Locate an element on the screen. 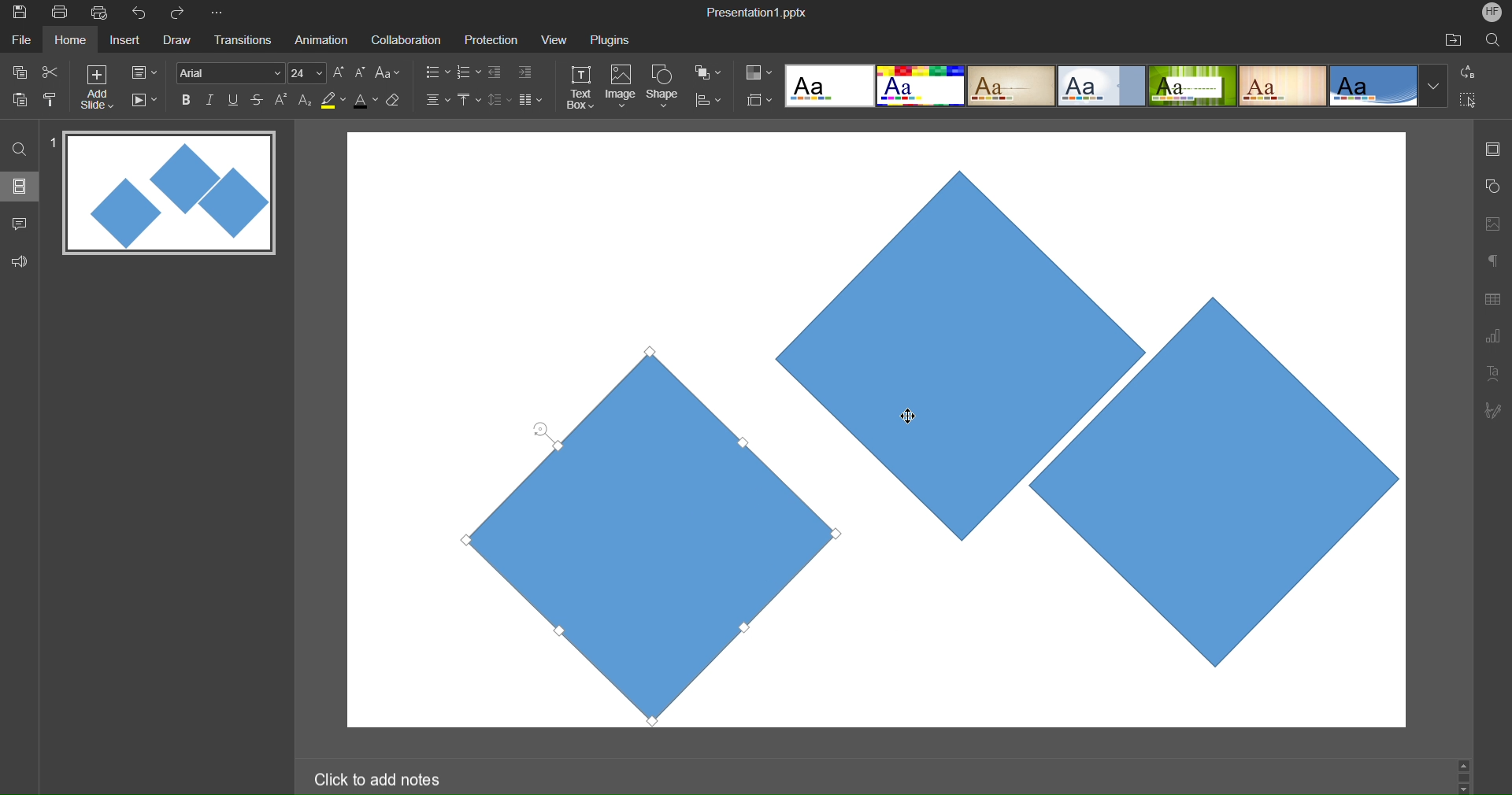 The height and width of the screenshot is (795, 1512). Signature is located at coordinates (1492, 410).